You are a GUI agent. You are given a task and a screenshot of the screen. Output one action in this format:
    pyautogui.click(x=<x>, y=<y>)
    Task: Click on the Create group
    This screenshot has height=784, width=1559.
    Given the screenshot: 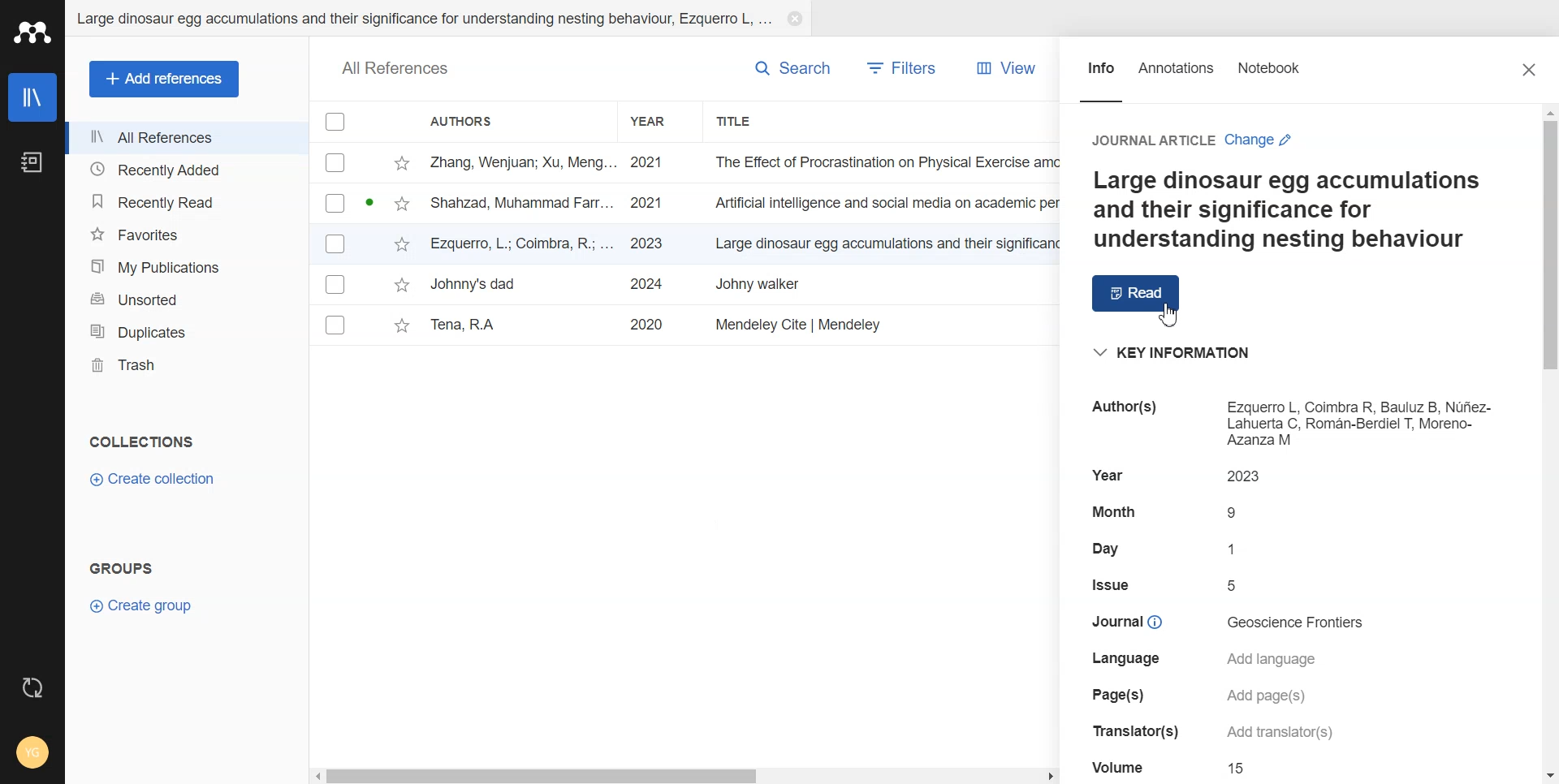 What is the action you would take?
    pyautogui.click(x=142, y=607)
    